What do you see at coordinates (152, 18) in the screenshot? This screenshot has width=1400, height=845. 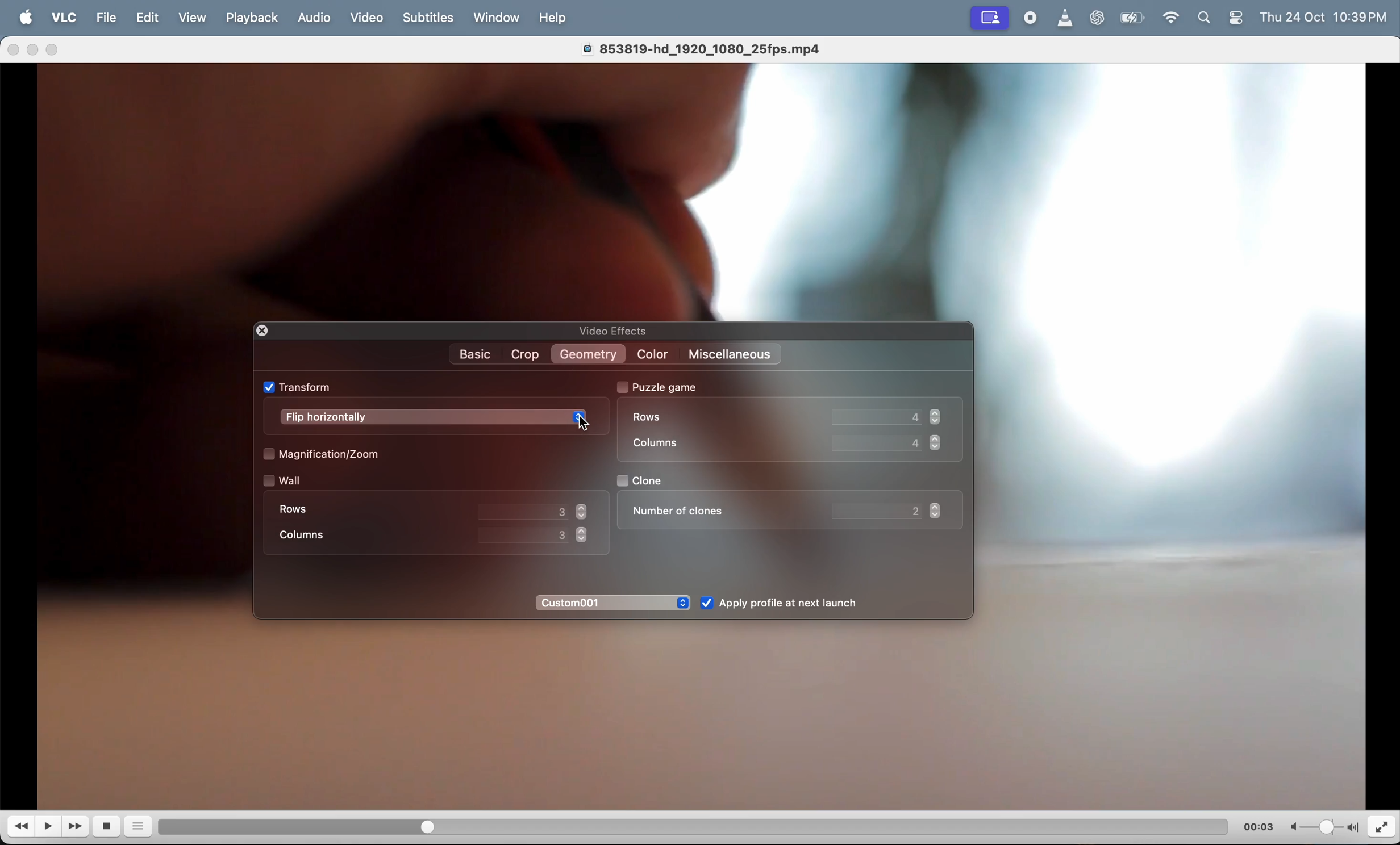 I see `edit` at bounding box center [152, 18].